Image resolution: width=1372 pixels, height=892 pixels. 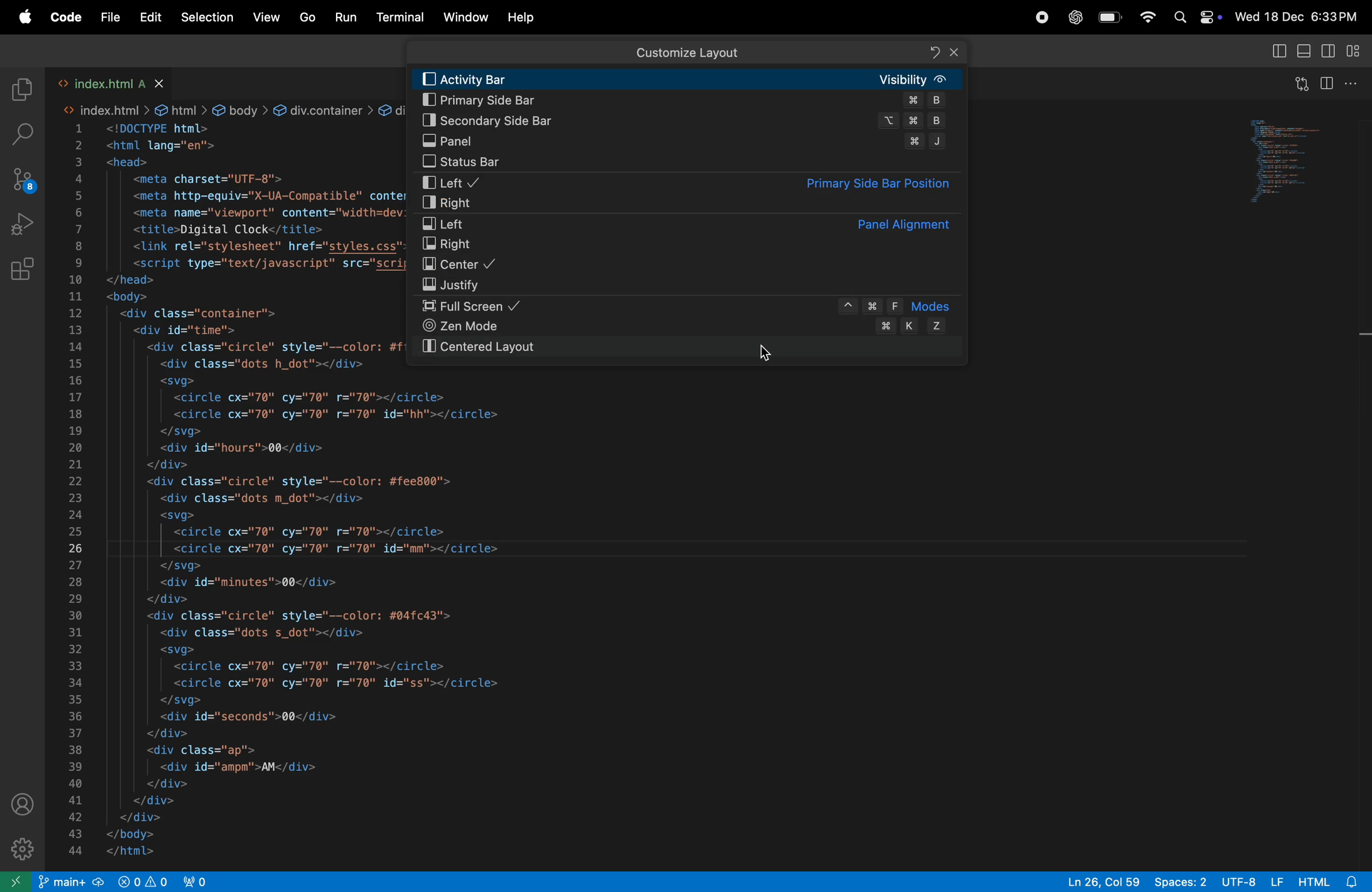 I want to click on status bar, so click(x=687, y=162).